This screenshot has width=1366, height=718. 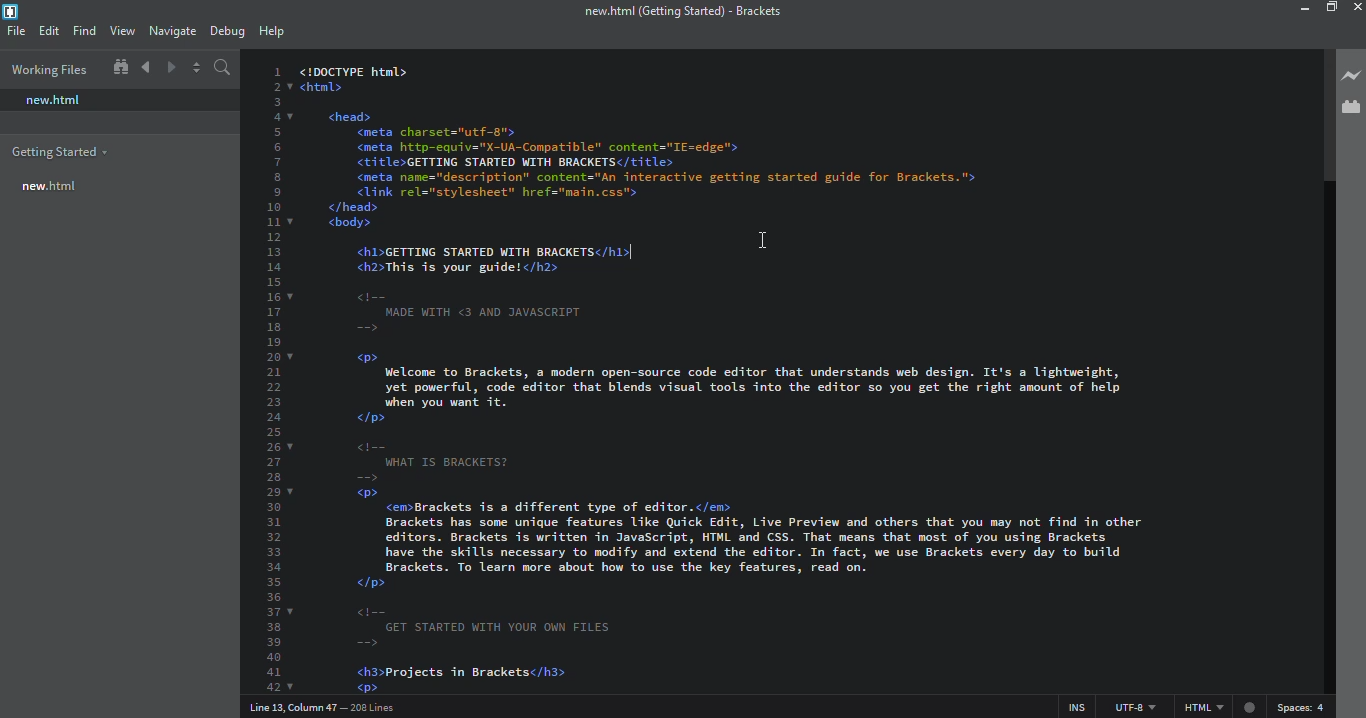 I want to click on edit, so click(x=49, y=30).